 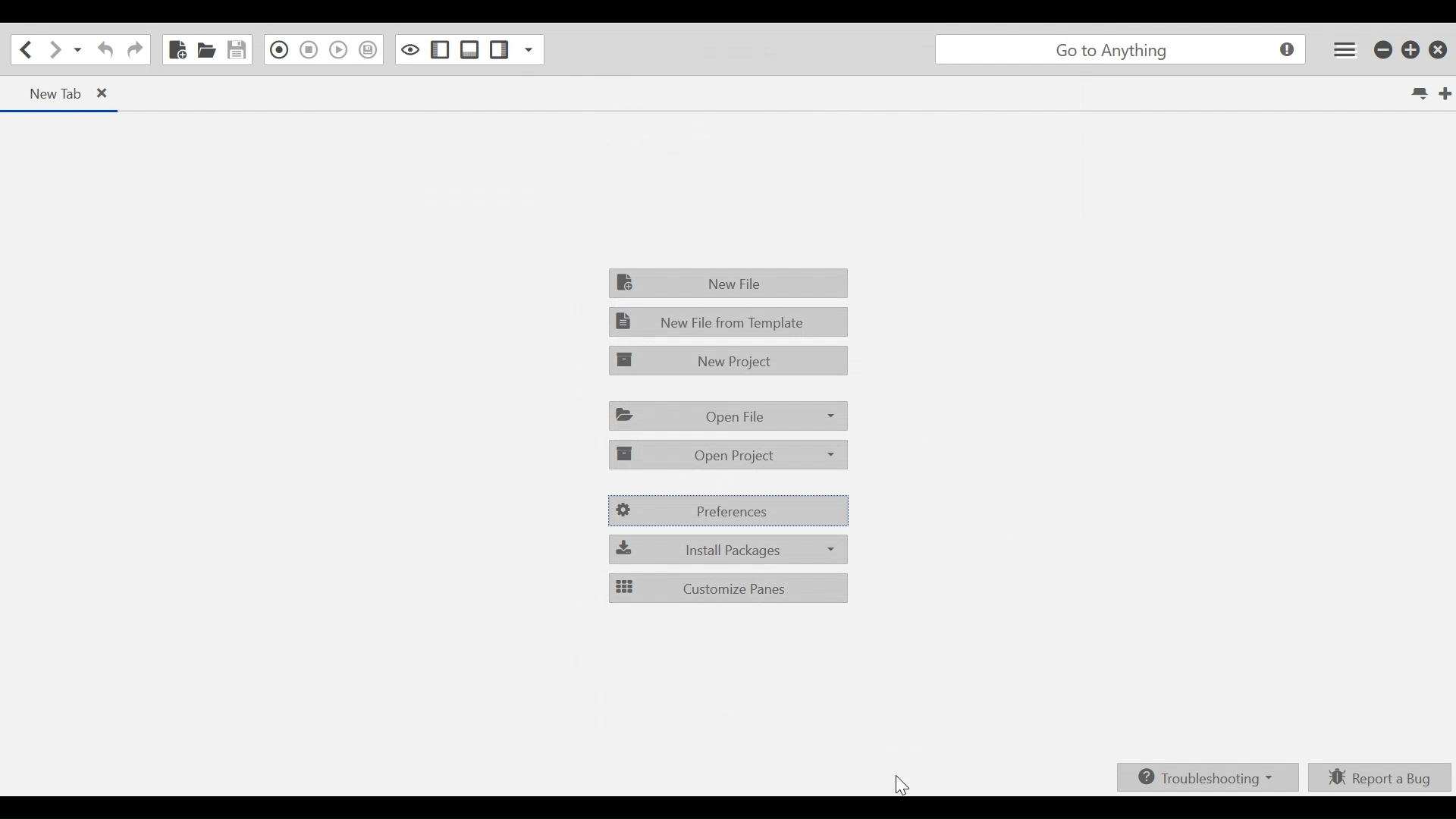 I want to click on Go forward one location, so click(x=52, y=51).